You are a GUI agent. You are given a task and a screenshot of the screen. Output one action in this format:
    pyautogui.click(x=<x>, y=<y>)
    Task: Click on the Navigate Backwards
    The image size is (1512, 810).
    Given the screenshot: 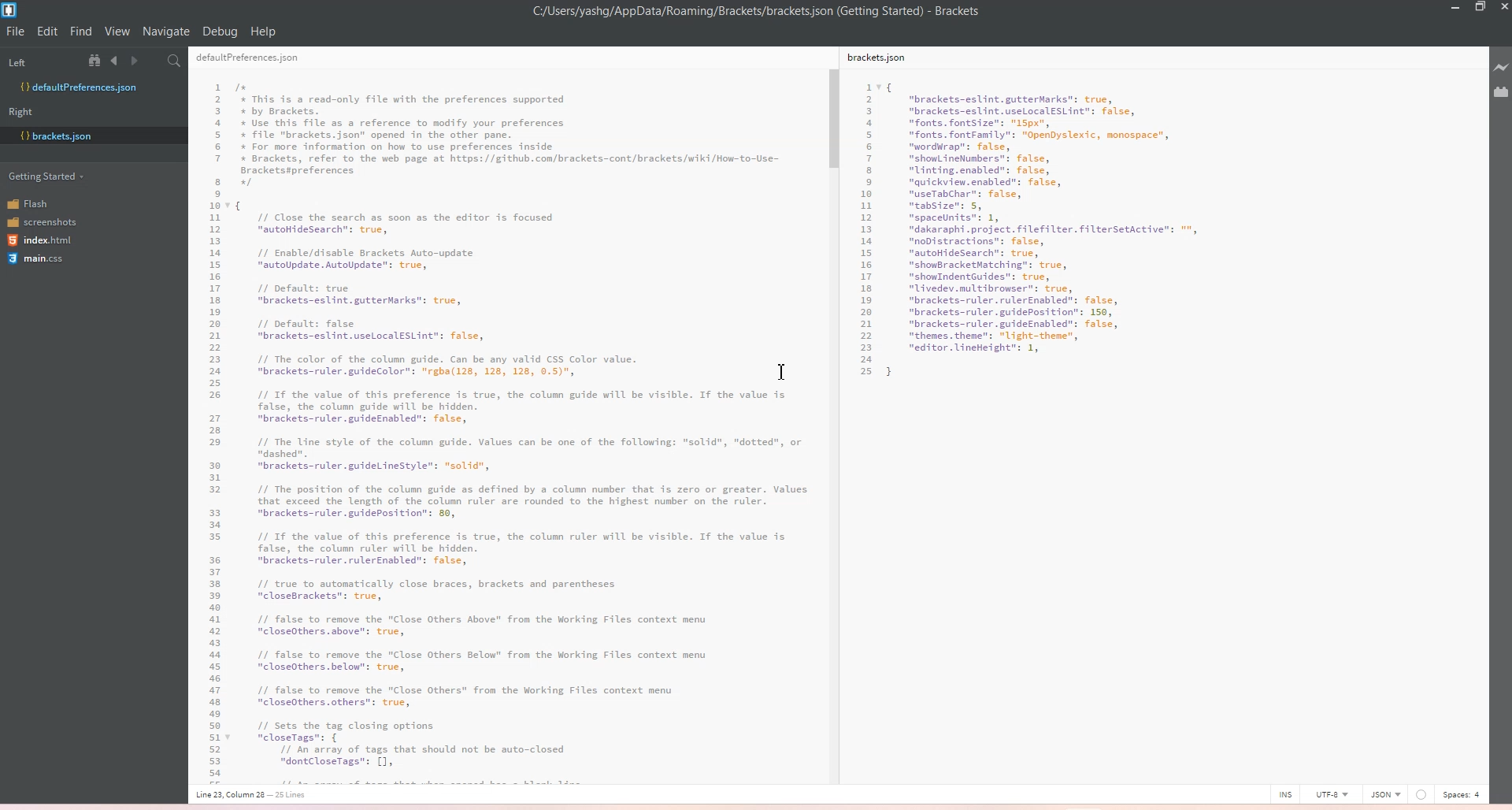 What is the action you would take?
    pyautogui.click(x=117, y=61)
    